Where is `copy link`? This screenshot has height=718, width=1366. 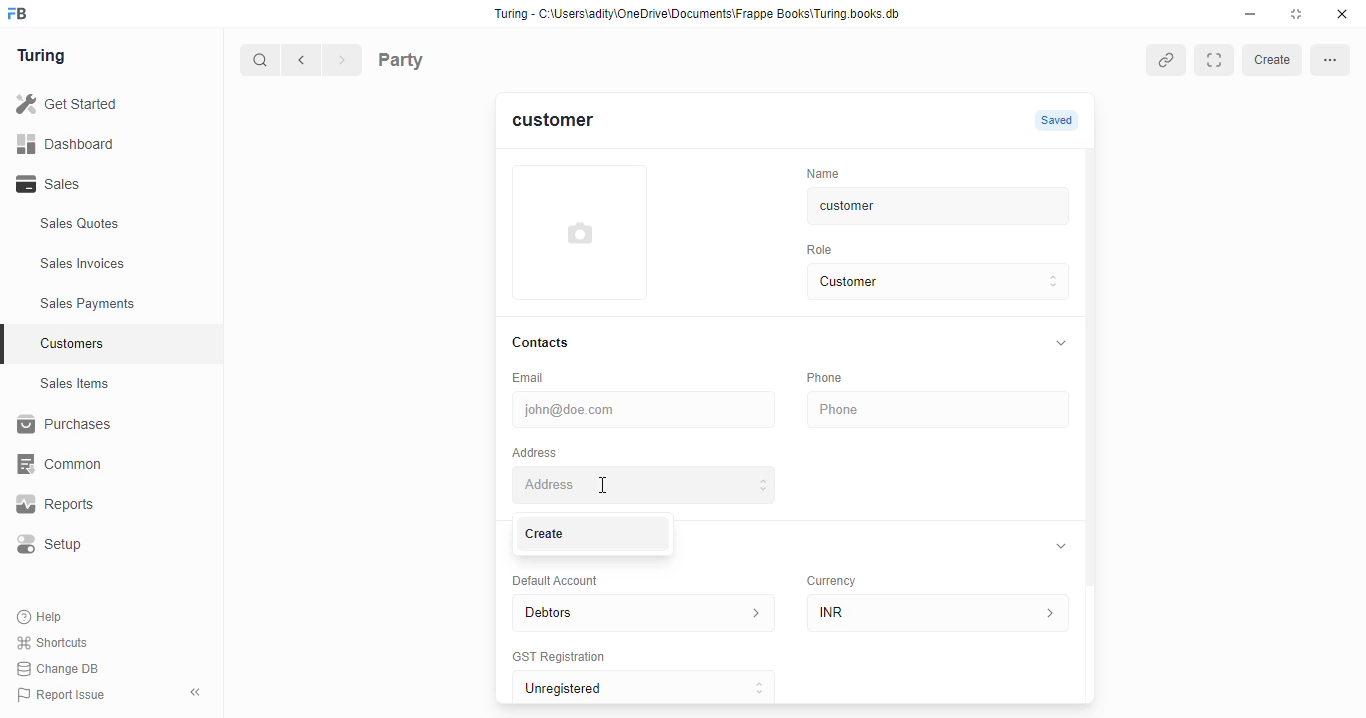 copy link is located at coordinates (1166, 59).